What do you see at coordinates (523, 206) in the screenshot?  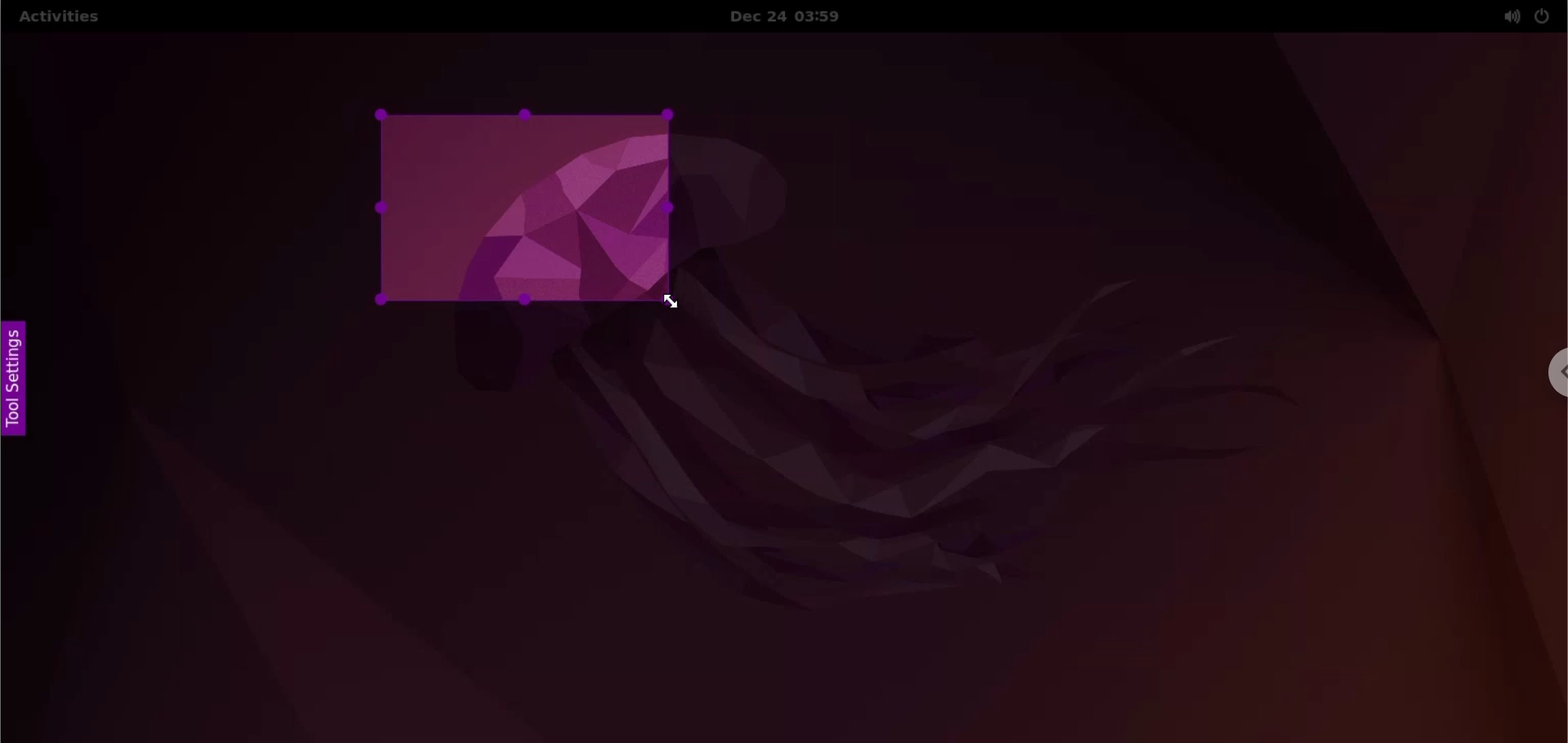 I see `resized canvas` at bounding box center [523, 206].